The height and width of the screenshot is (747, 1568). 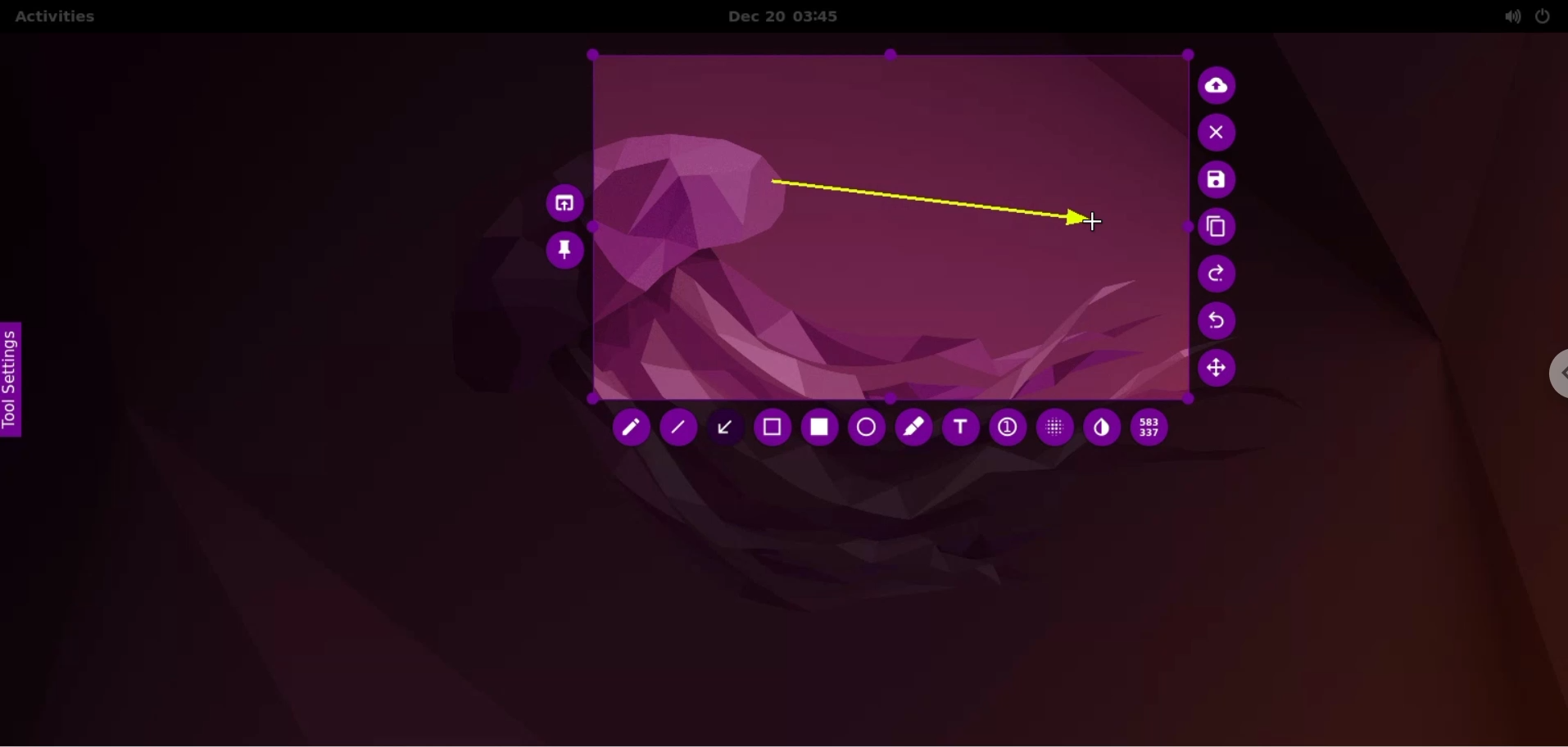 What do you see at coordinates (1221, 321) in the screenshot?
I see `undo` at bounding box center [1221, 321].